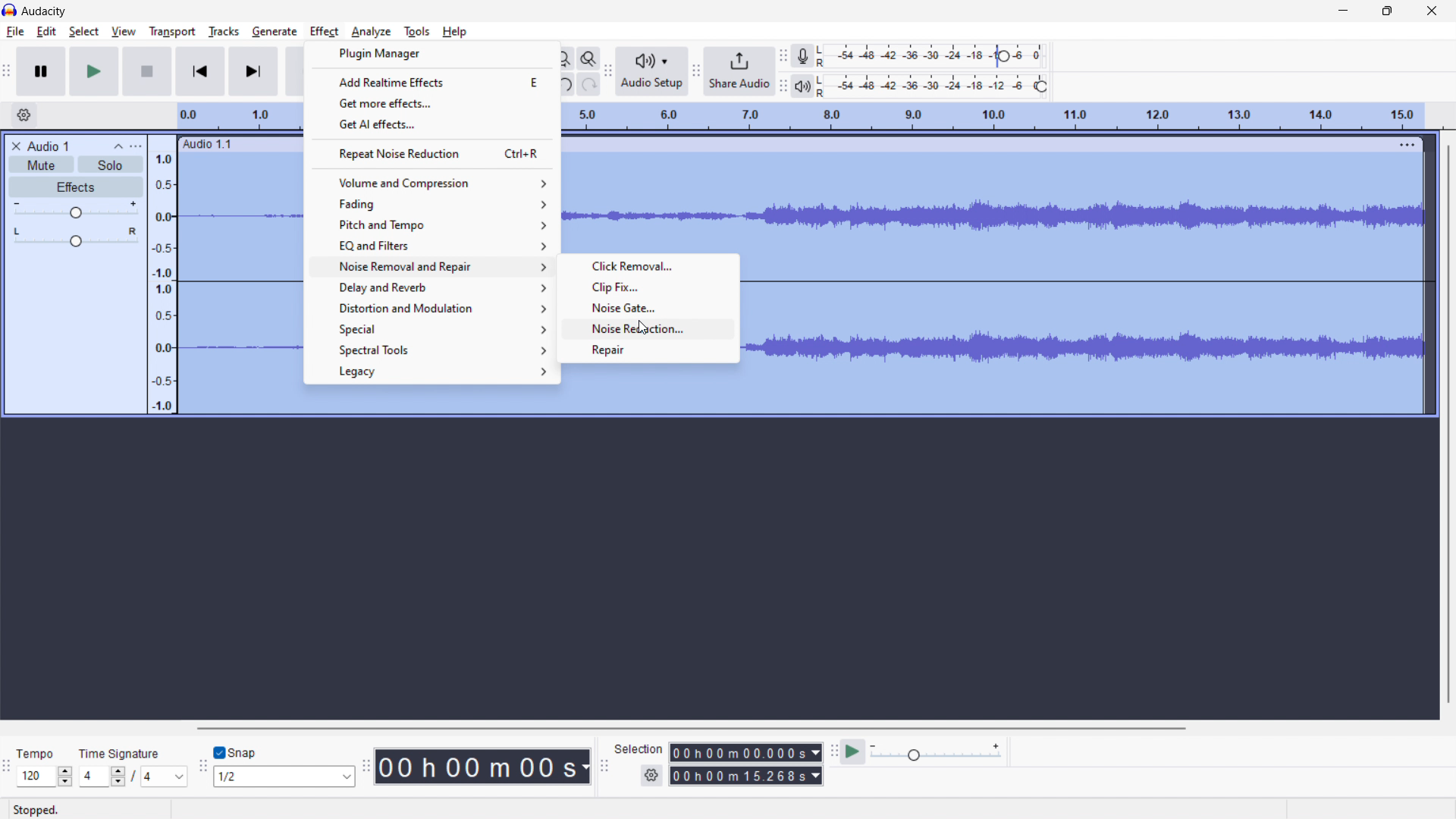  I want to click on clip fix, so click(648, 287).